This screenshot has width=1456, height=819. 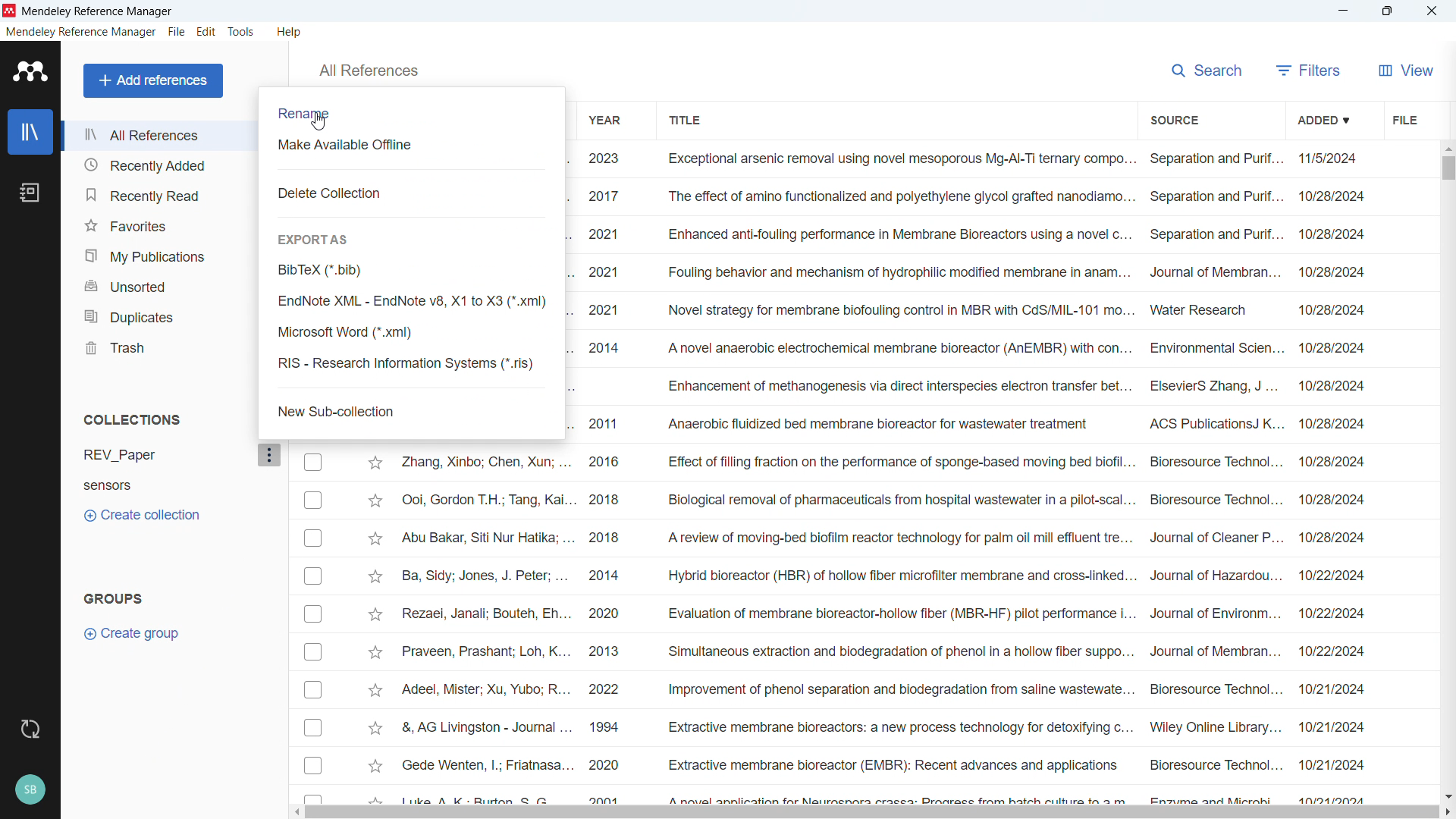 What do you see at coordinates (376, 615) in the screenshot?
I see `Star mark respective publication` at bounding box center [376, 615].